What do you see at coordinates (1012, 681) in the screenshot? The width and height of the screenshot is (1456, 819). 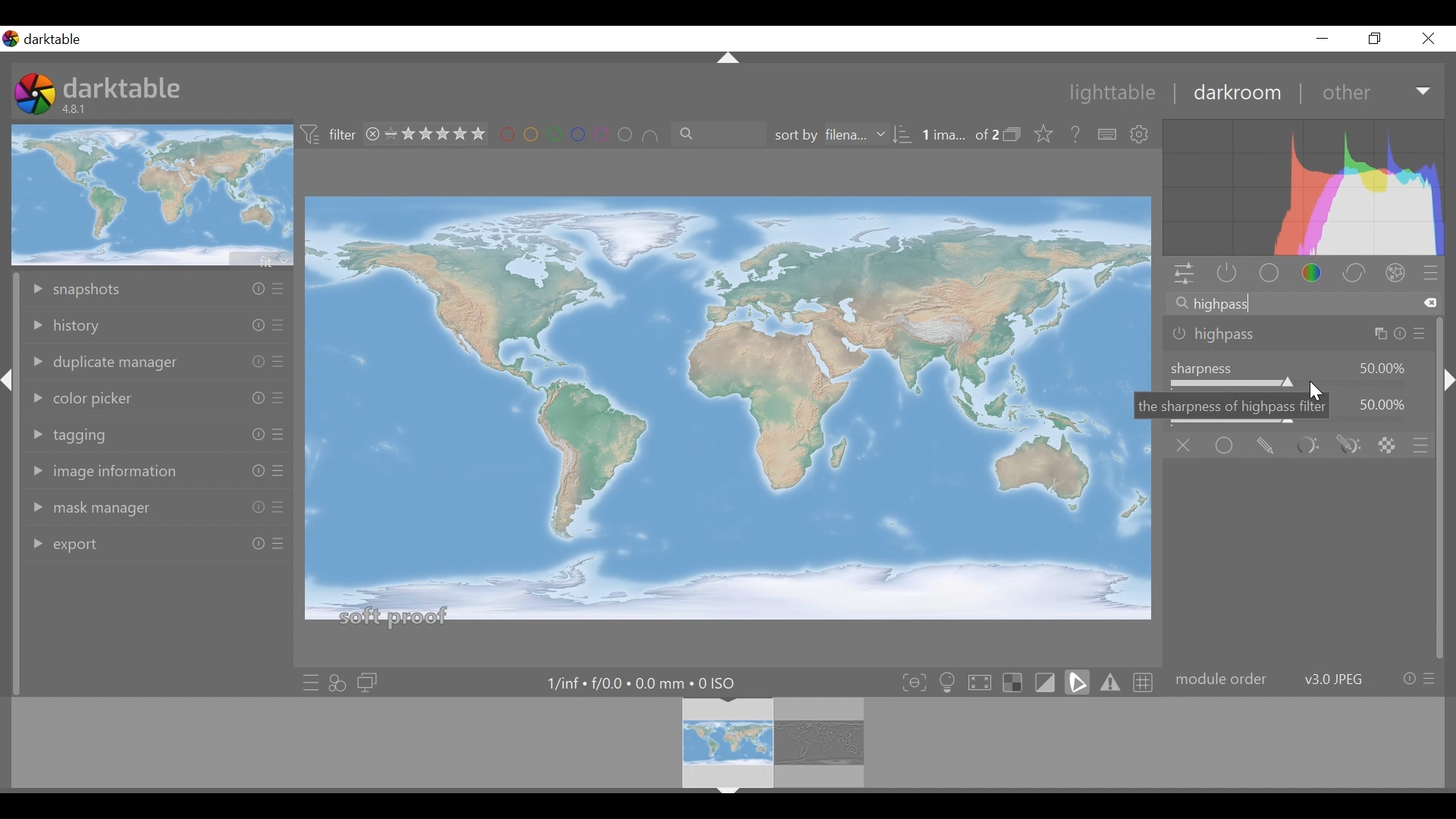 I see `toggle indication of raw overexposure` at bounding box center [1012, 681].